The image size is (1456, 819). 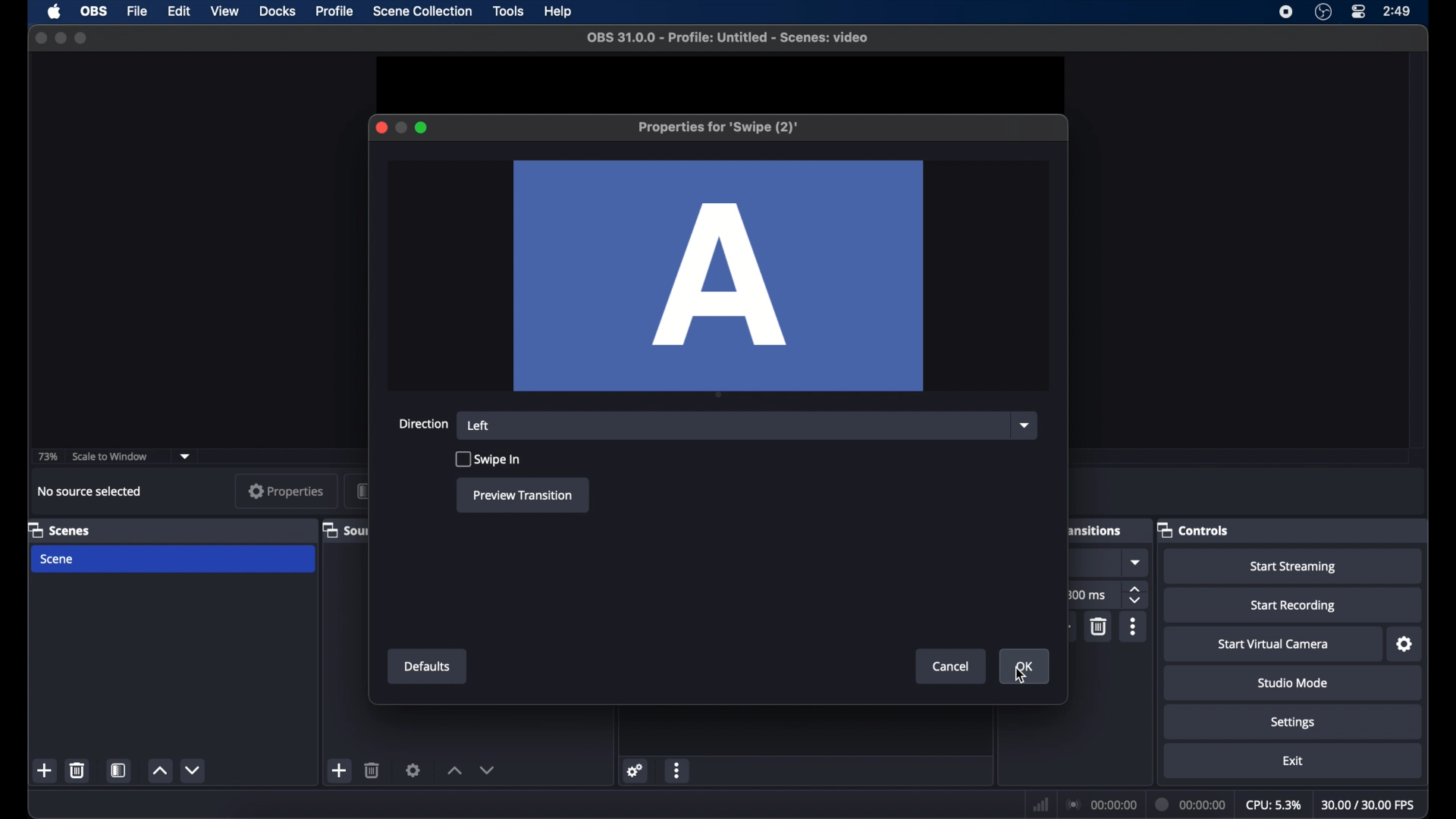 What do you see at coordinates (401, 127) in the screenshot?
I see `minimize` at bounding box center [401, 127].